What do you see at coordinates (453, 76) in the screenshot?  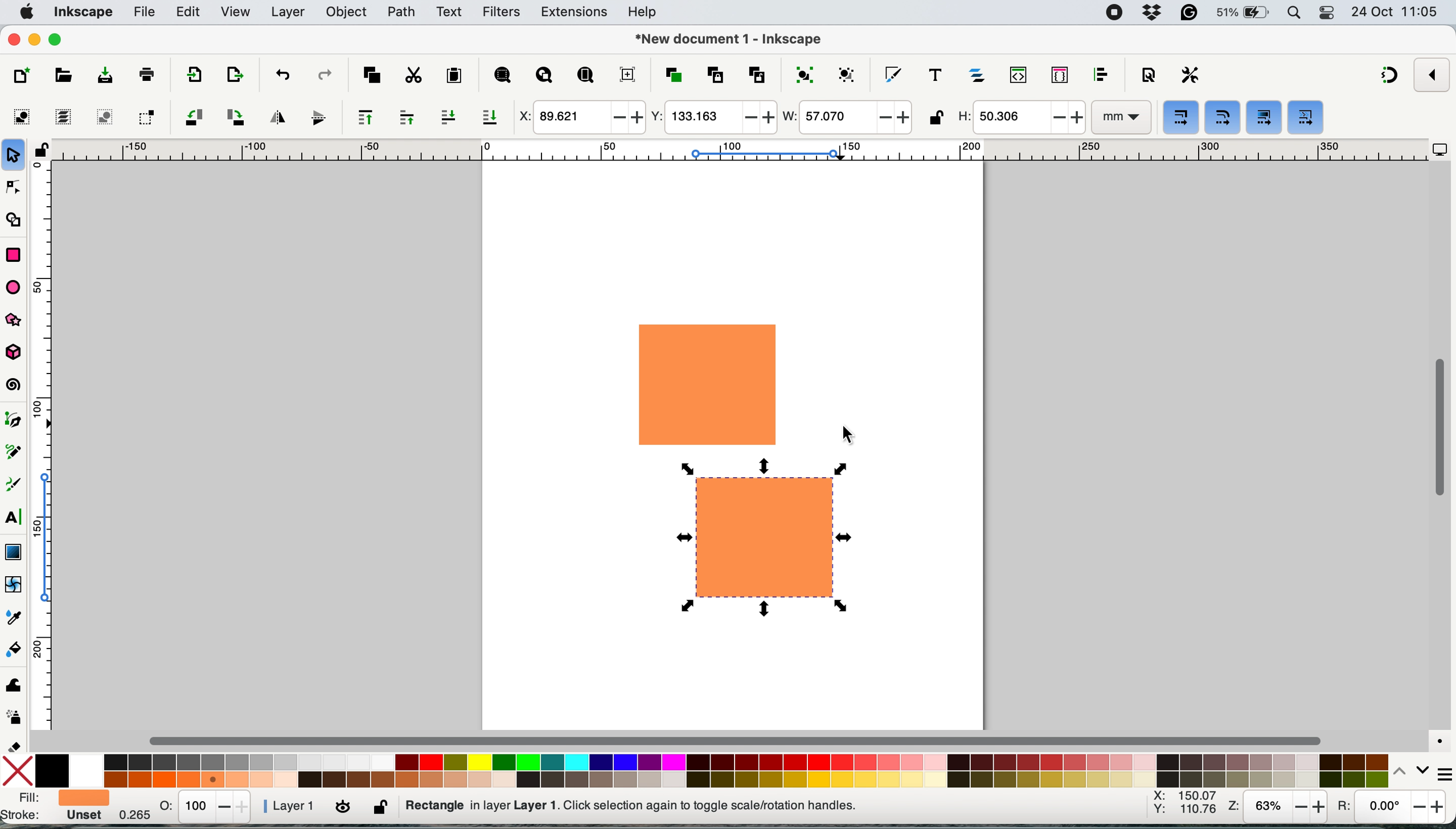 I see `paste` at bounding box center [453, 76].